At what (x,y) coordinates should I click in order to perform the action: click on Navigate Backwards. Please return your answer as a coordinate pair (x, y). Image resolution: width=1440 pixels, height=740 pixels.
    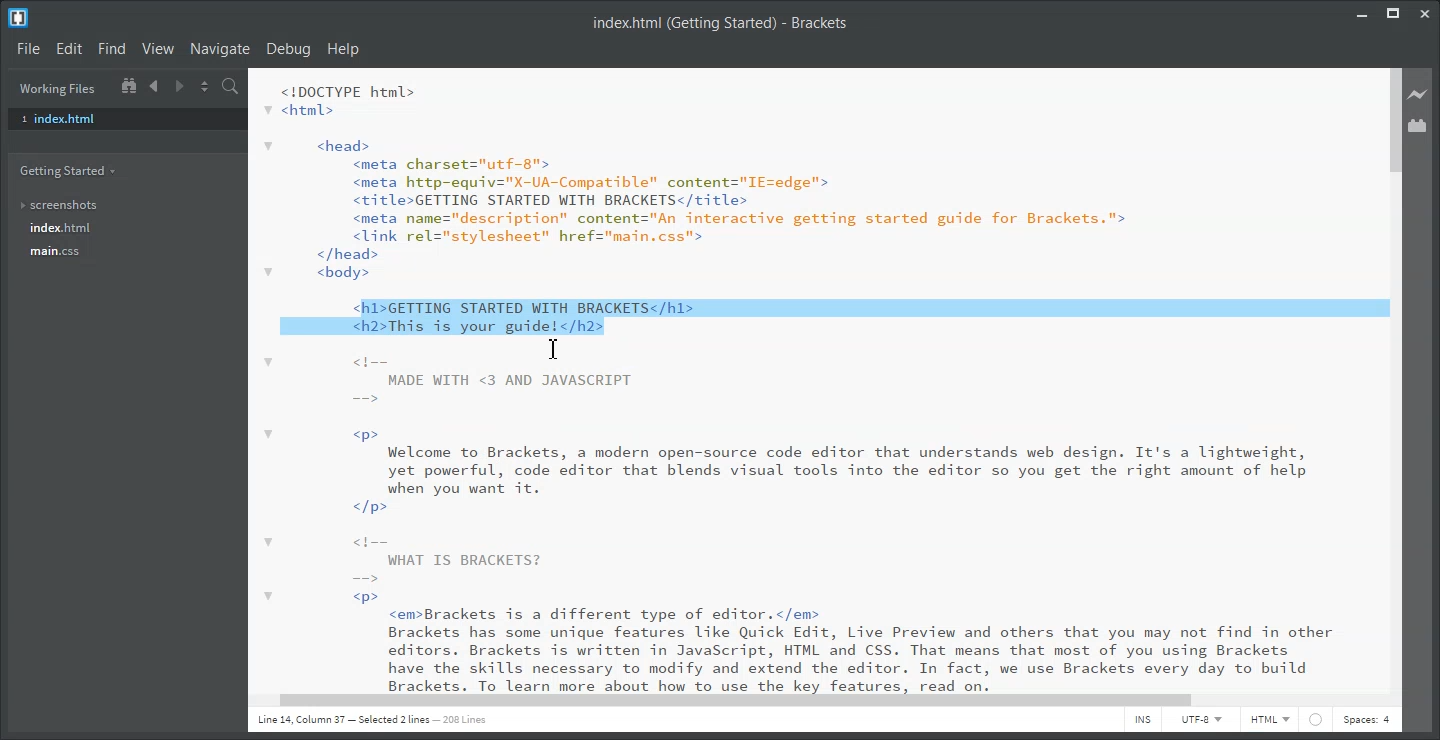
    Looking at the image, I should click on (155, 86).